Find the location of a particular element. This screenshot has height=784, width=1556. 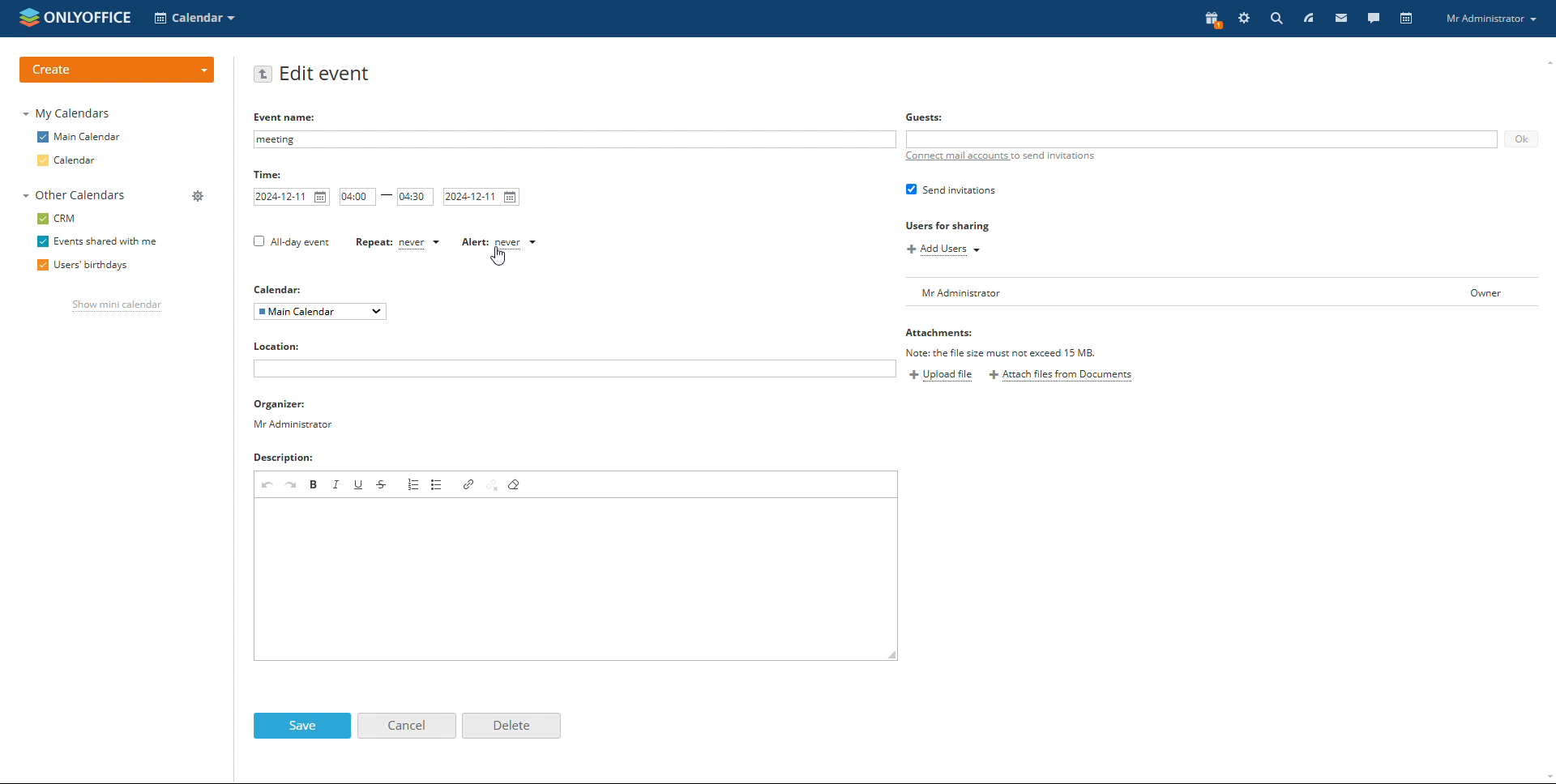

add locatoin is located at coordinates (574, 369).